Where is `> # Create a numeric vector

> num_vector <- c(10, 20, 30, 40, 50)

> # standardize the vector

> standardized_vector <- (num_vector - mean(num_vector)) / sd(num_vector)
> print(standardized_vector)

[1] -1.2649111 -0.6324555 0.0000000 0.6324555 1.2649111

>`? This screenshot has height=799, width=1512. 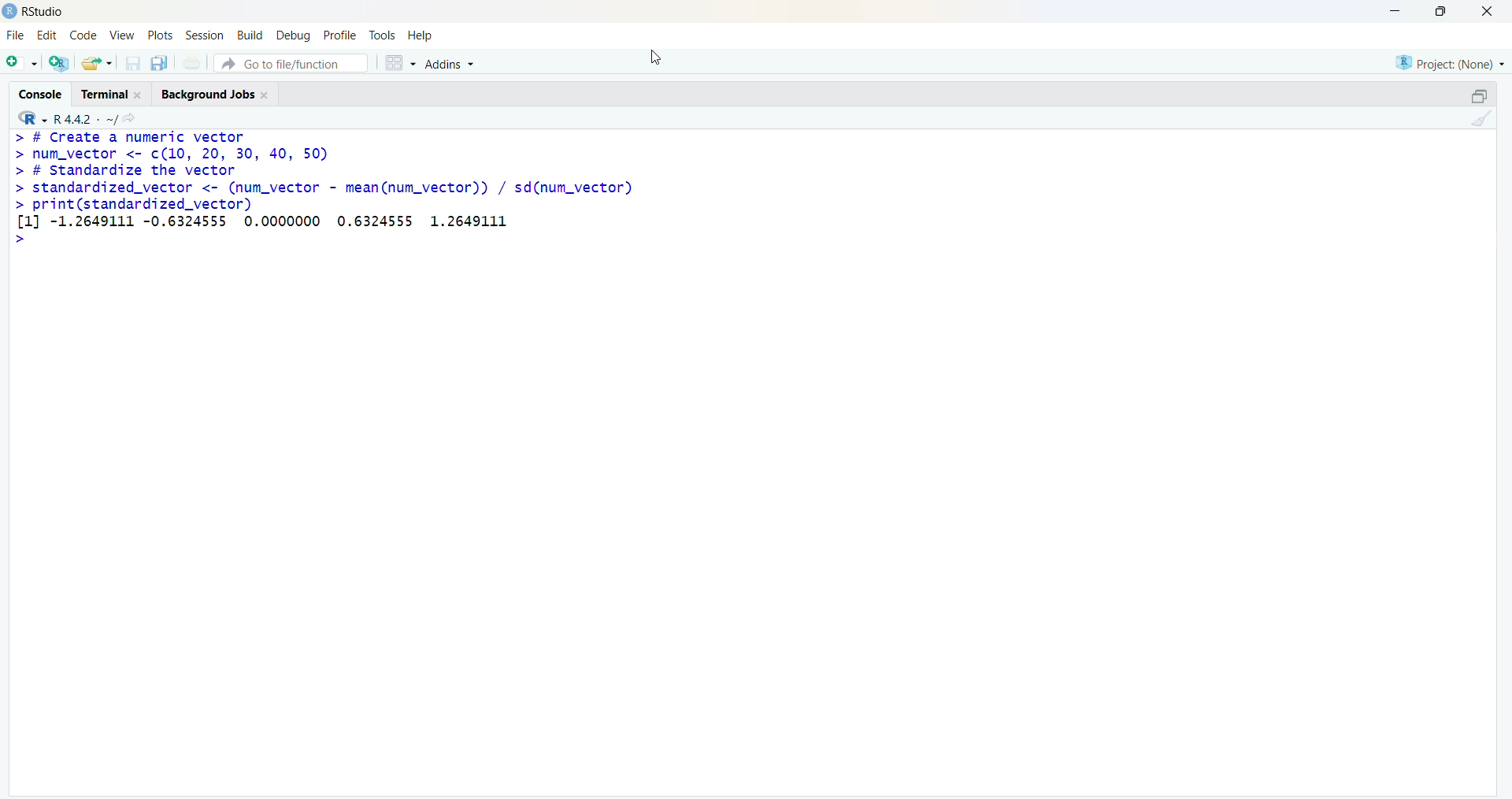 > # Create a numeric vector

> num_vector <- c(10, 20, 30, 40, 50)

> # standardize the vector

> standardized_vector <- (num_vector - mean(num_vector)) / sd(num_vector)
> print(standardized_vector)

[1] -1.2649111 -0.6324555 0.0000000 0.6324555 1.2649111

> is located at coordinates (324, 190).